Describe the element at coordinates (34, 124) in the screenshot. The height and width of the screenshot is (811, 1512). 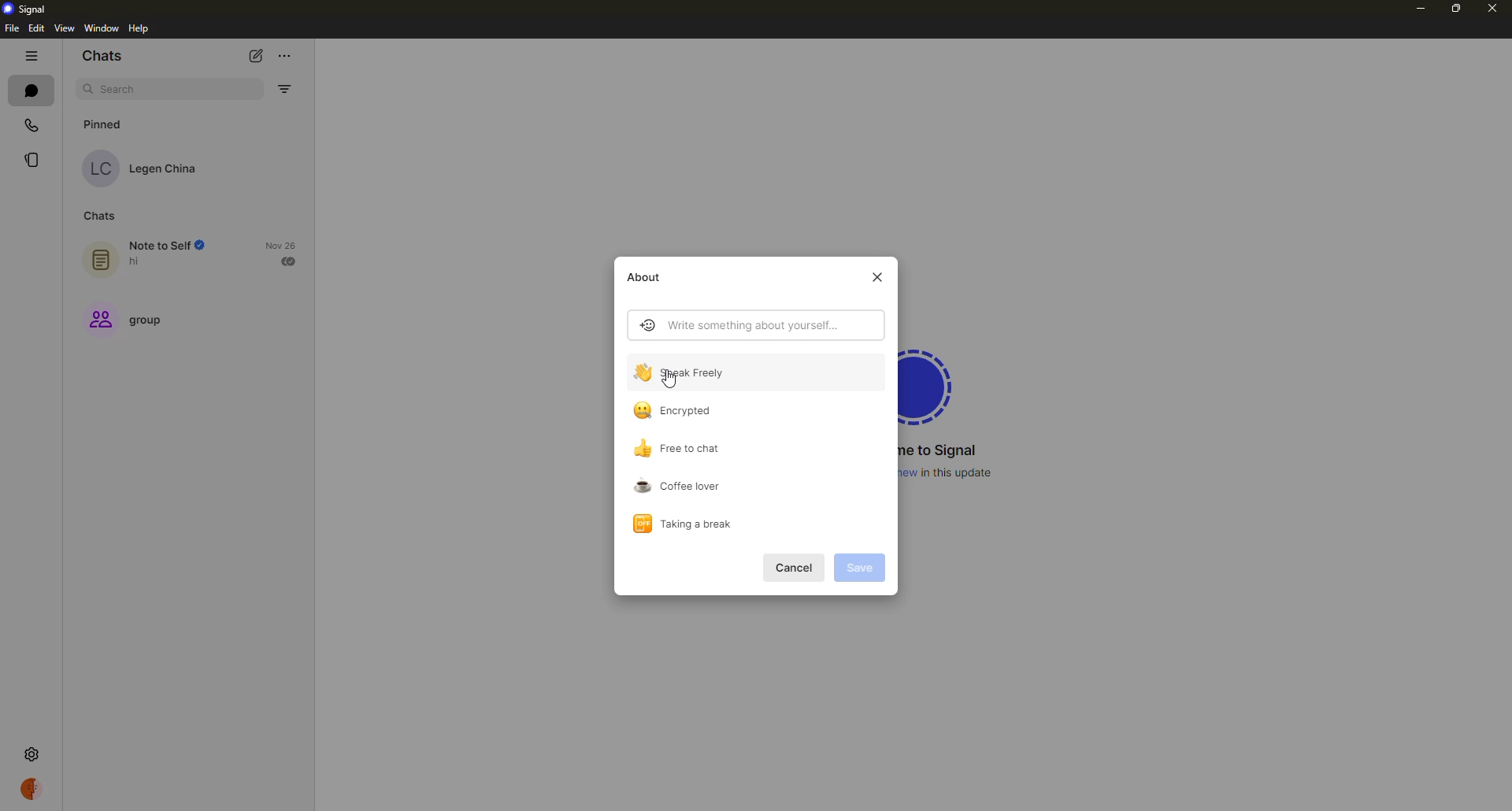
I see `calls` at that location.